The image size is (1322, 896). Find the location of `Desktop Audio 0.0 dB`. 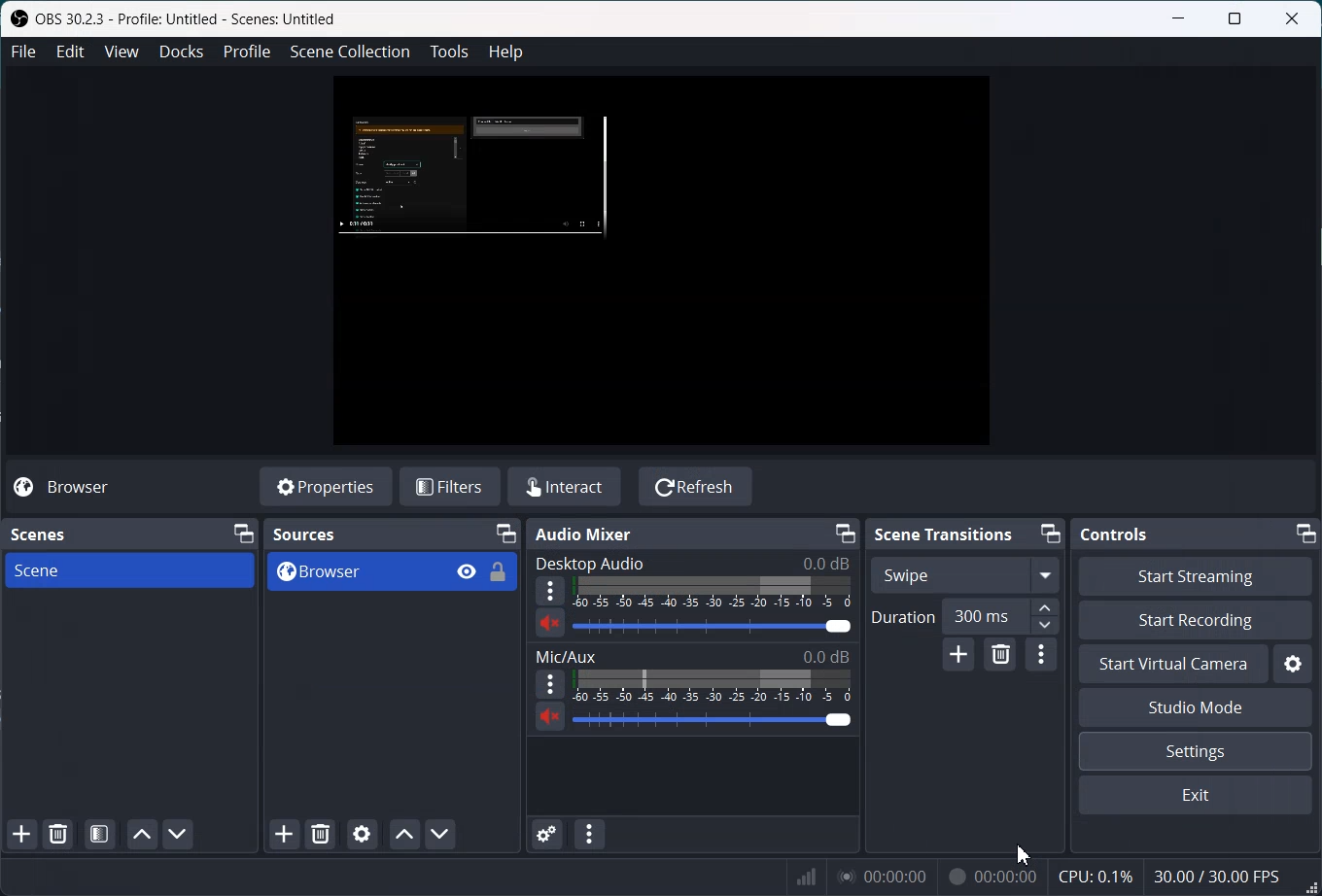

Desktop Audio 0.0 dB is located at coordinates (692, 563).